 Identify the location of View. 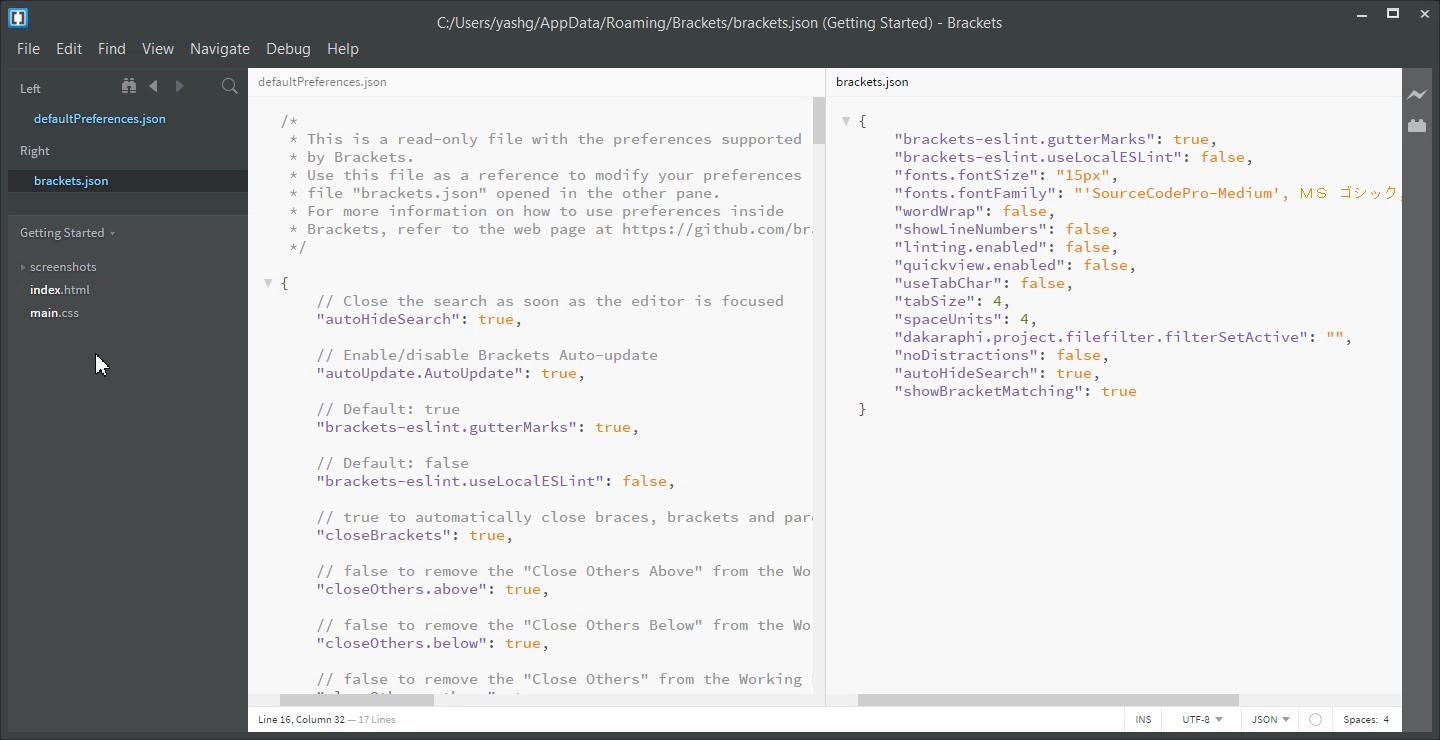
(158, 49).